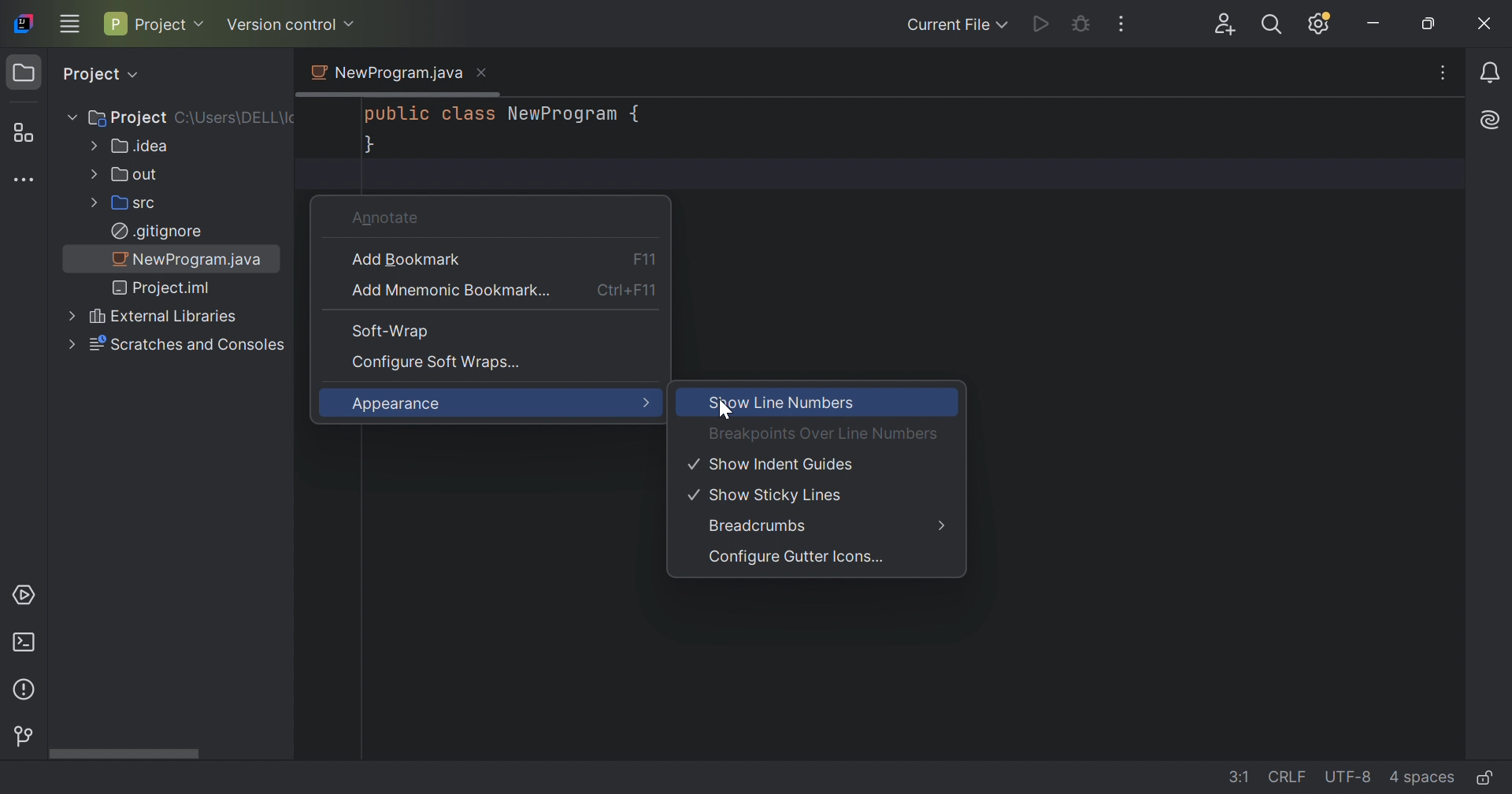  What do you see at coordinates (147, 24) in the screenshot?
I see `Project` at bounding box center [147, 24].